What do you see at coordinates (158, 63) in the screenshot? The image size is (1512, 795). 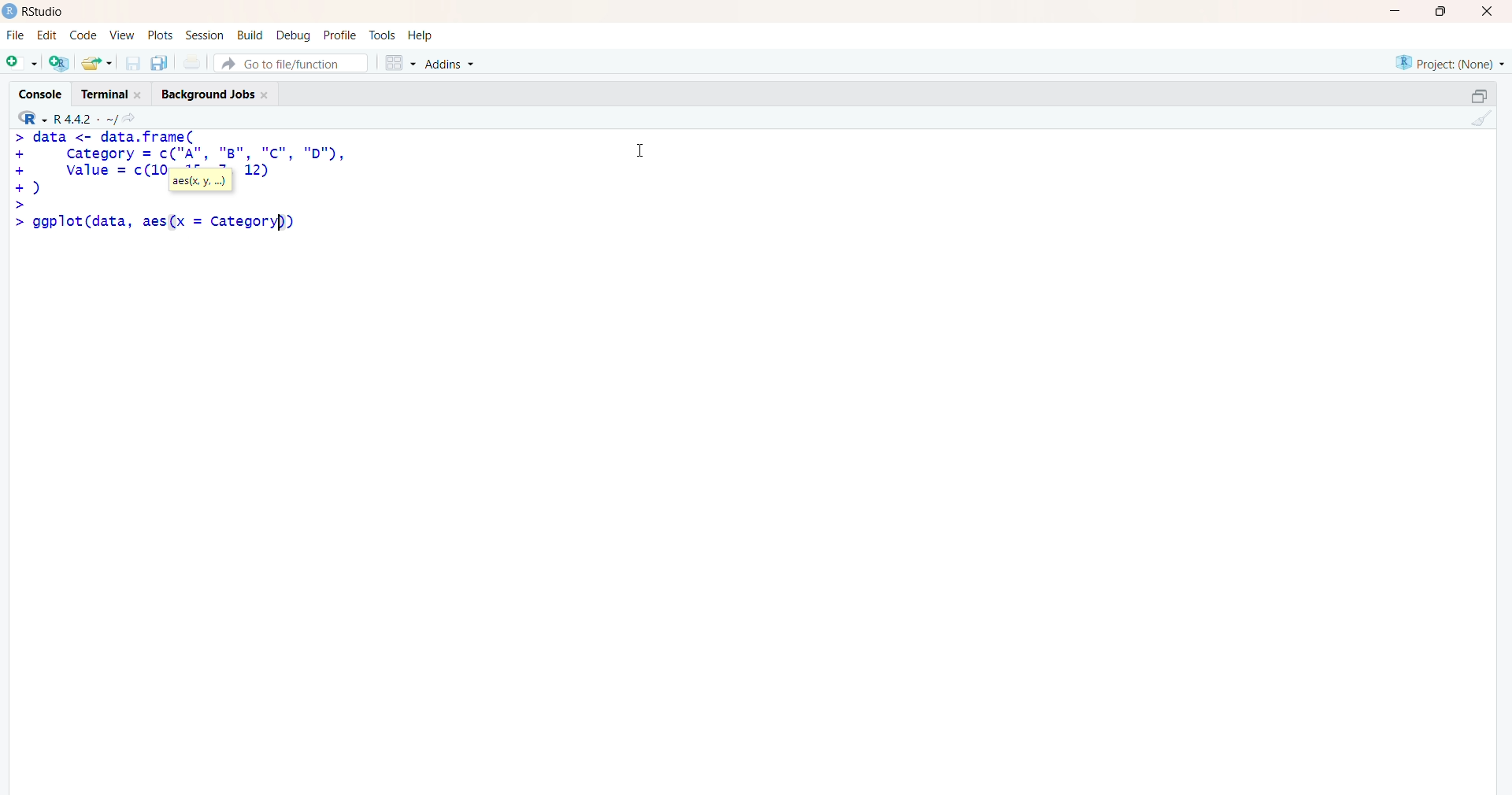 I see `save all open documents` at bounding box center [158, 63].